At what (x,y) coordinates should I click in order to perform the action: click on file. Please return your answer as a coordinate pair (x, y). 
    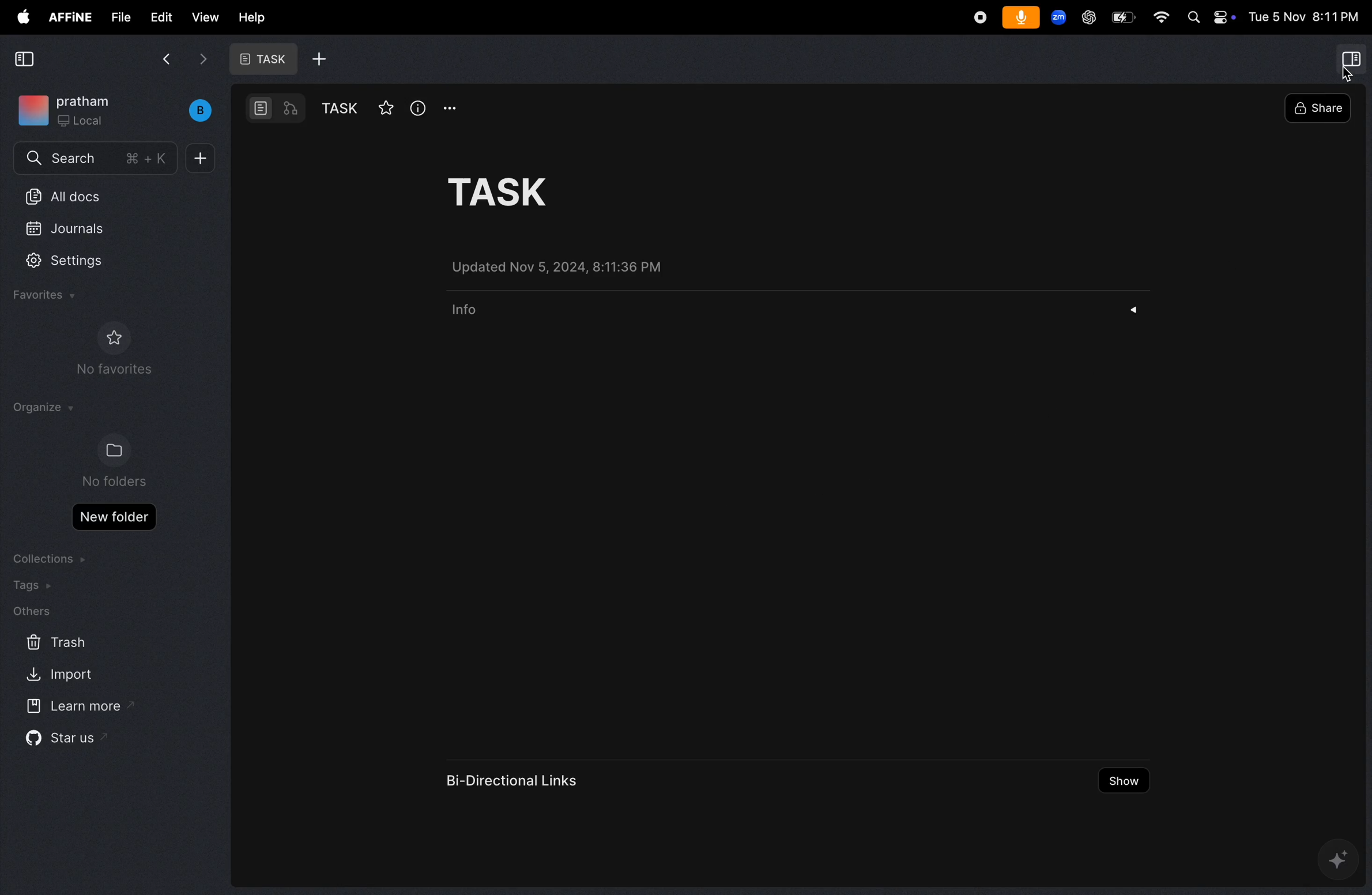
    Looking at the image, I should click on (116, 16).